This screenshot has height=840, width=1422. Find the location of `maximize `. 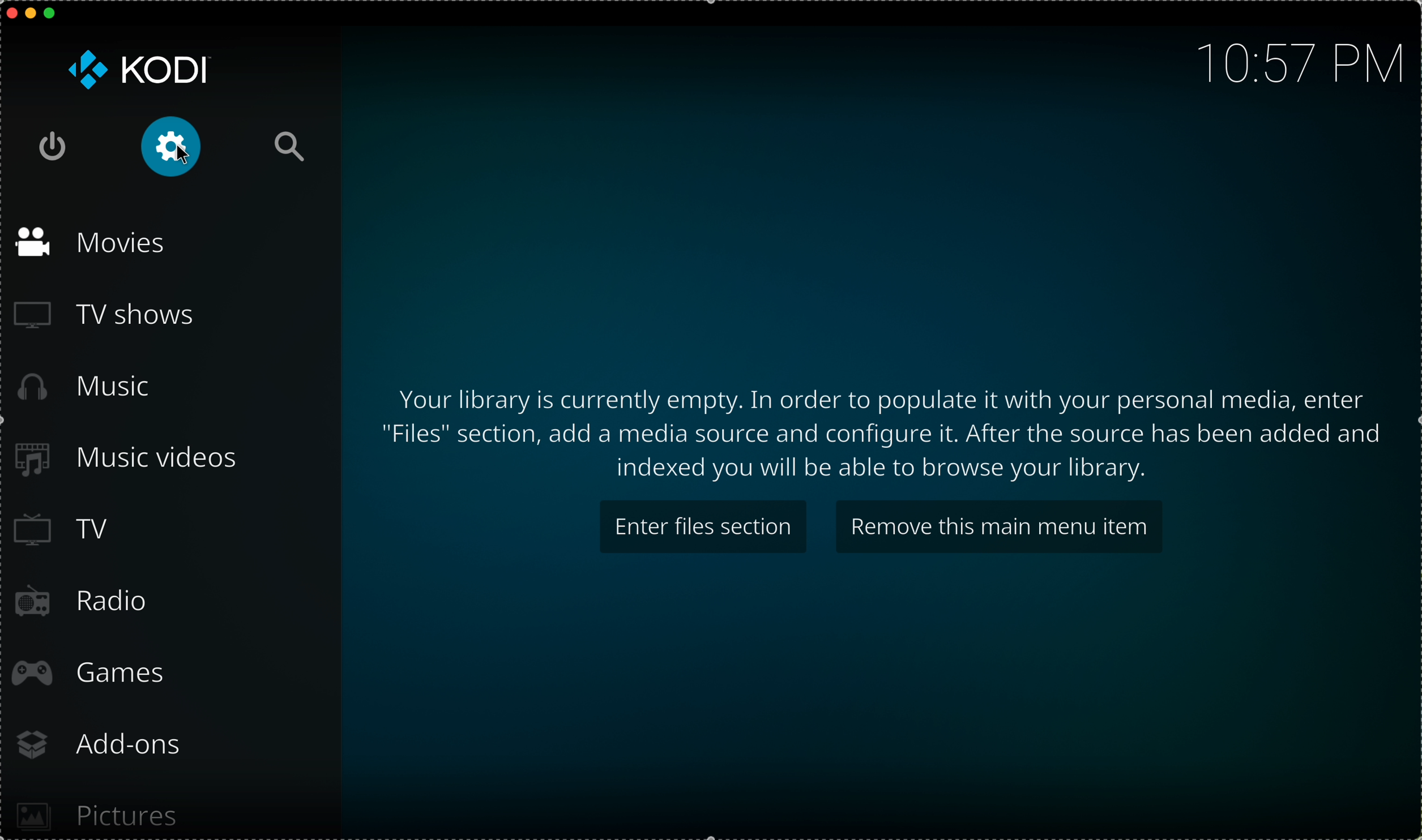

maximize  is located at coordinates (55, 14).